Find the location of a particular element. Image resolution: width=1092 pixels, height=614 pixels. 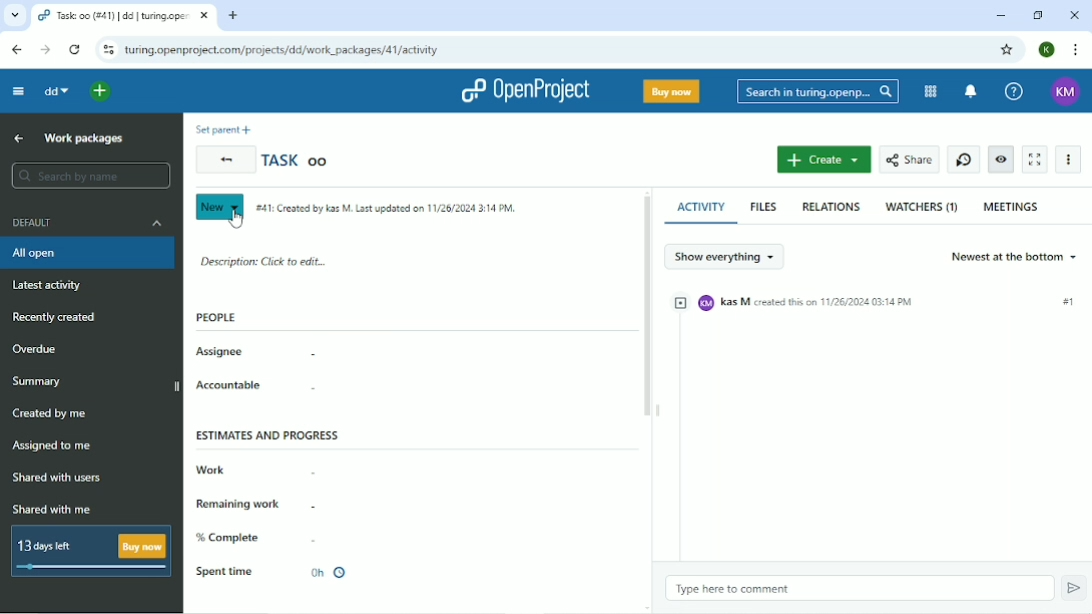

KM is located at coordinates (1066, 91).